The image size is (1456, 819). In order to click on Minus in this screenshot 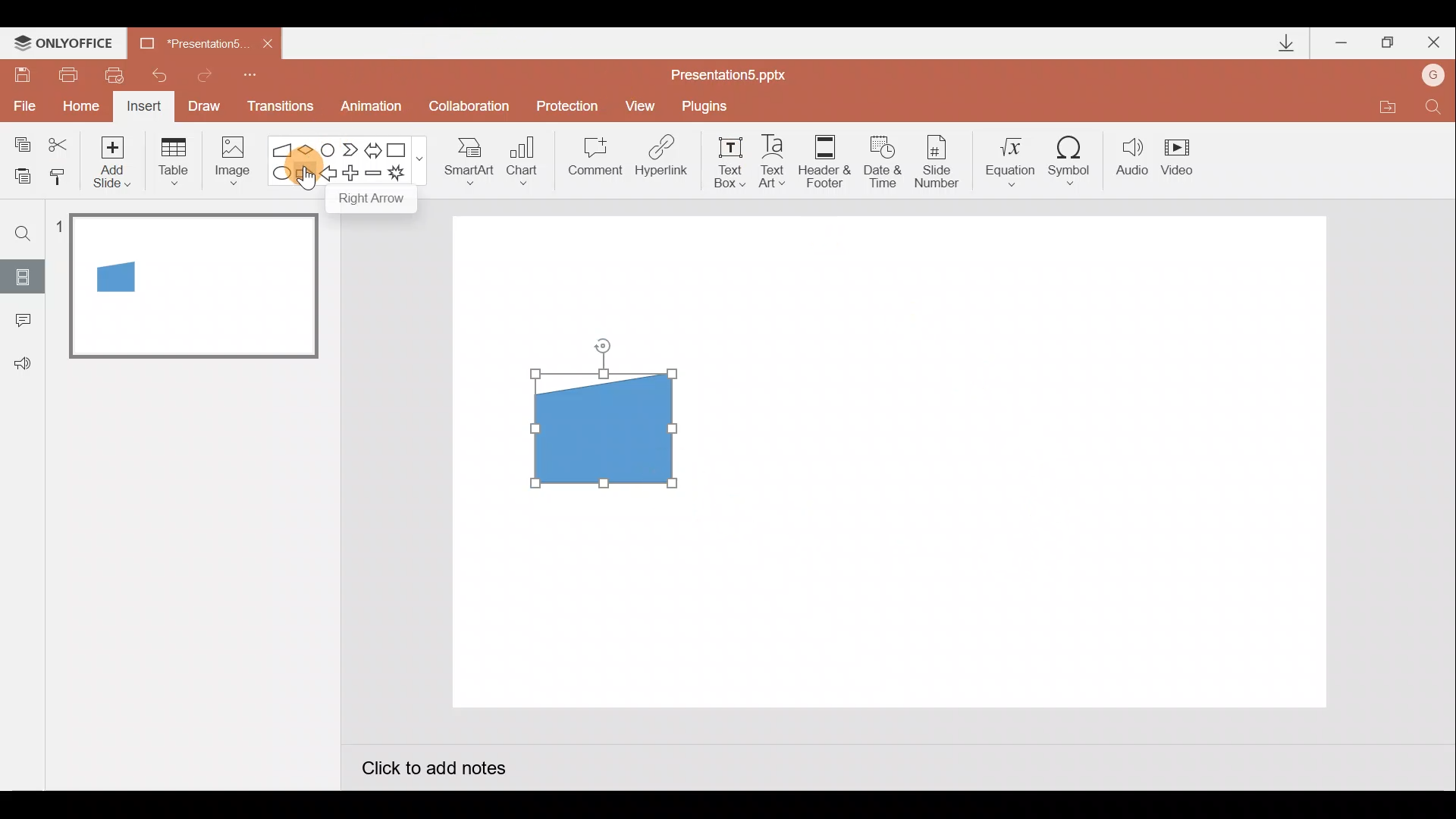, I will do `click(375, 176)`.